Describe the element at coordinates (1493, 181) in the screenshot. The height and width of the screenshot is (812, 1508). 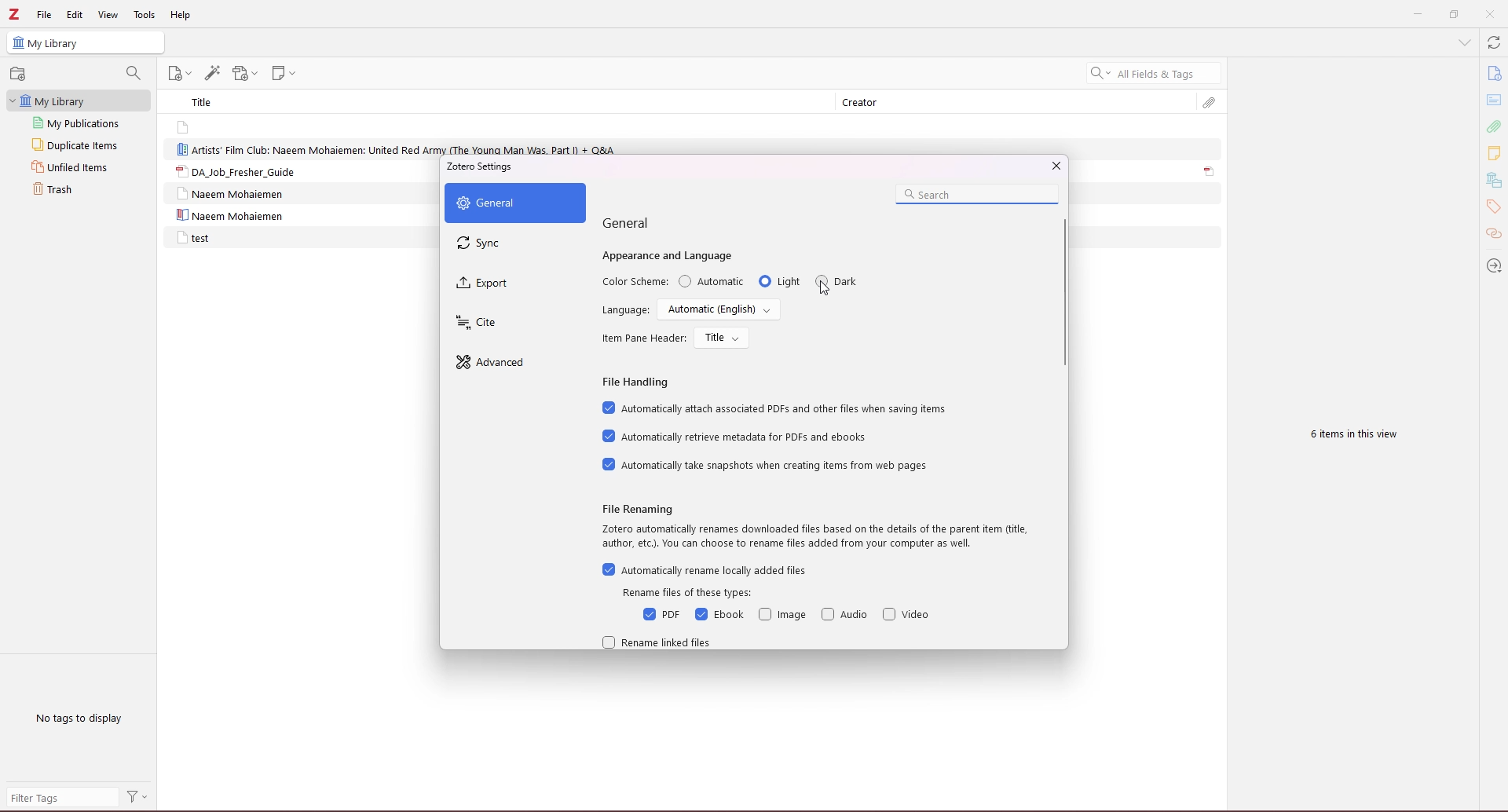
I see `libraries and collection` at that location.